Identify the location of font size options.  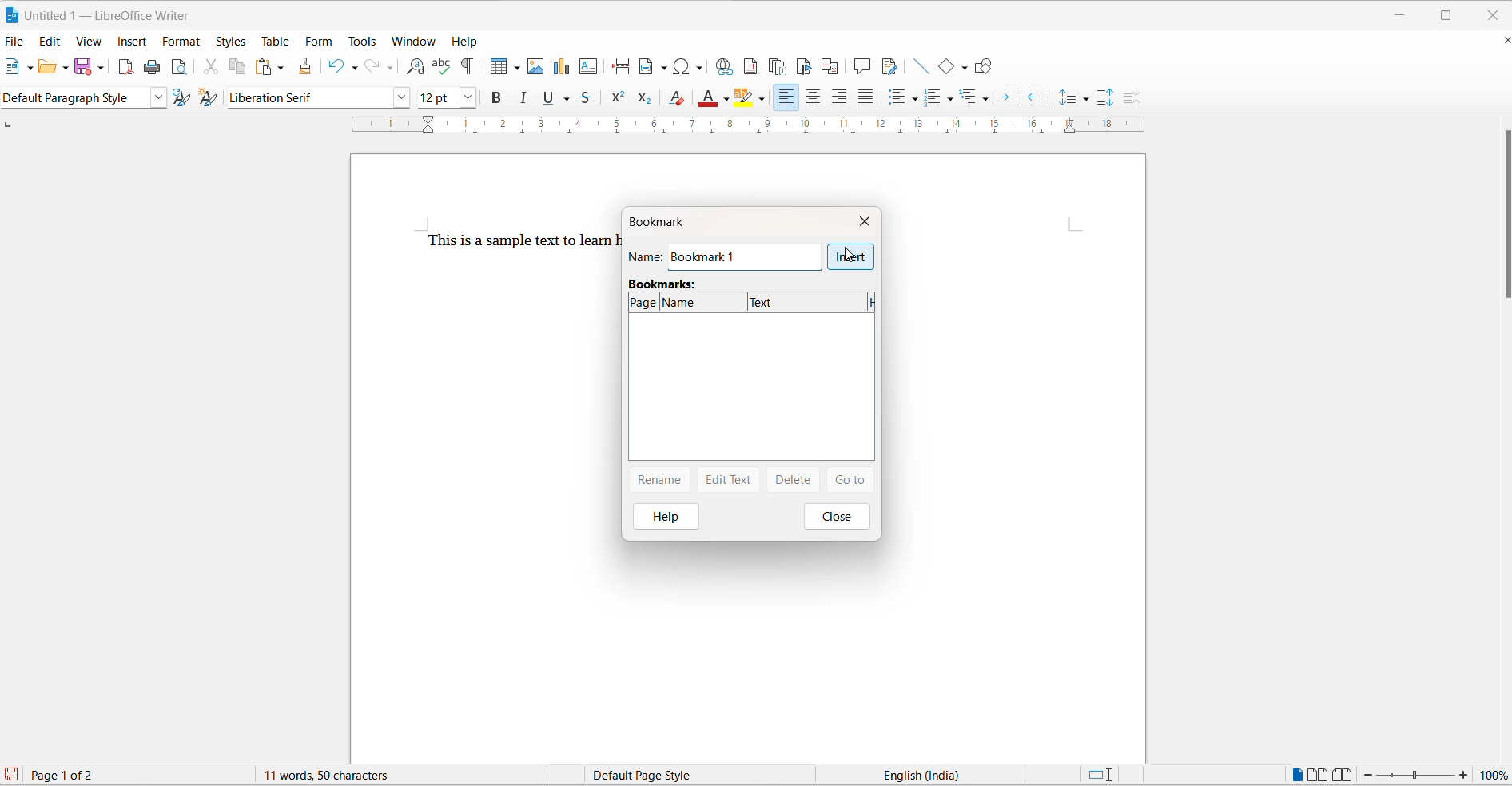
(467, 98).